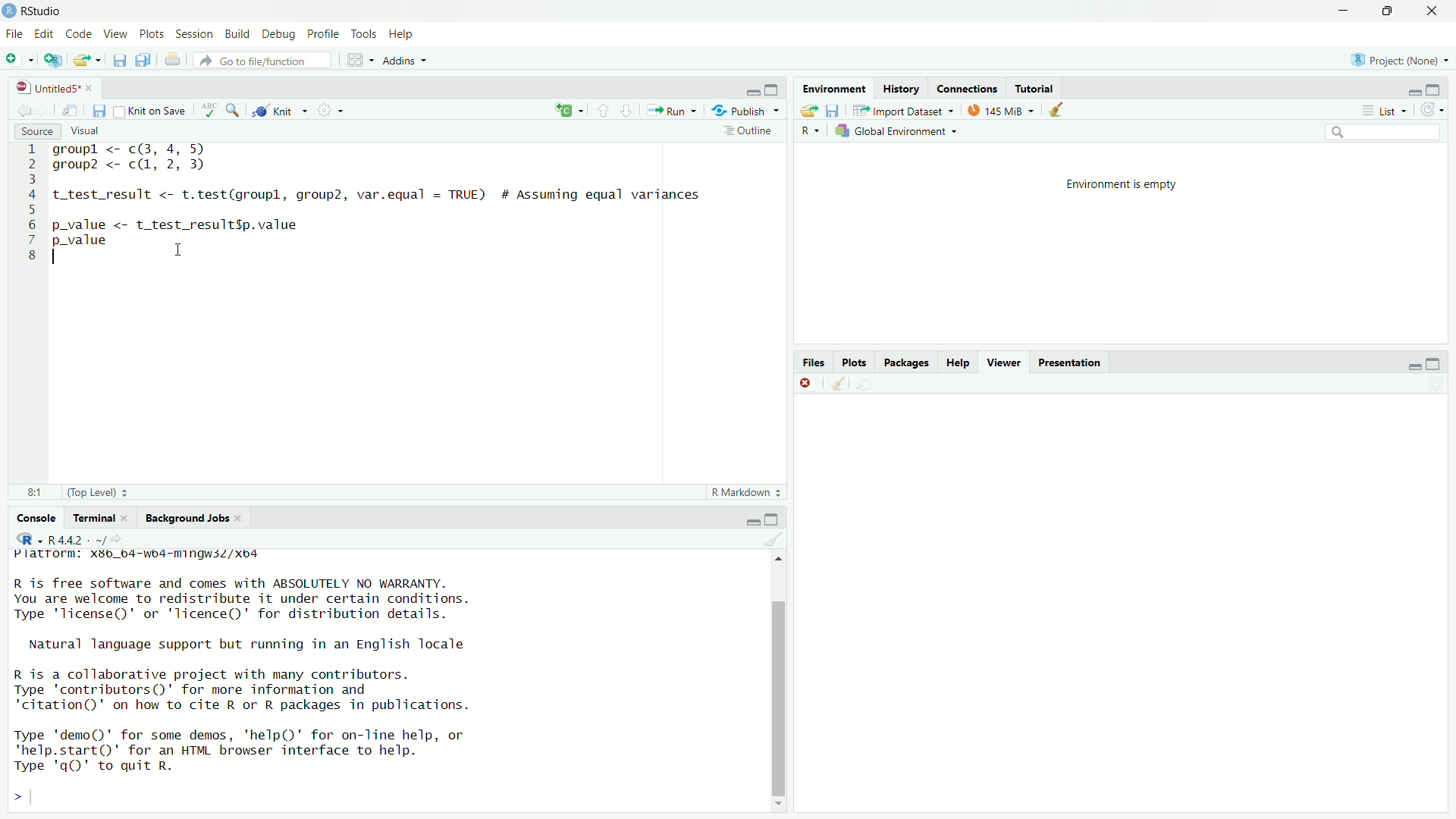 Image resolution: width=1456 pixels, height=819 pixels. I want to click on refresh the workspace, so click(1432, 110).